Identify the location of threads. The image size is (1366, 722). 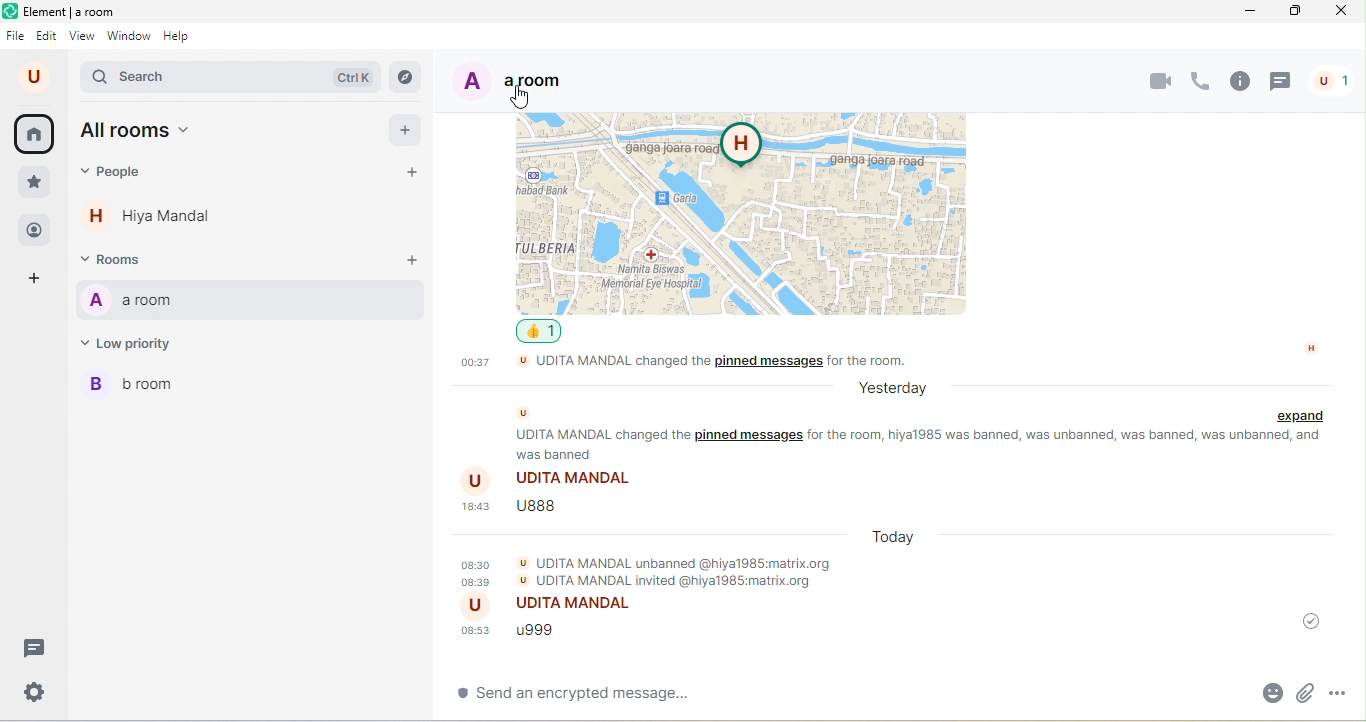
(31, 647).